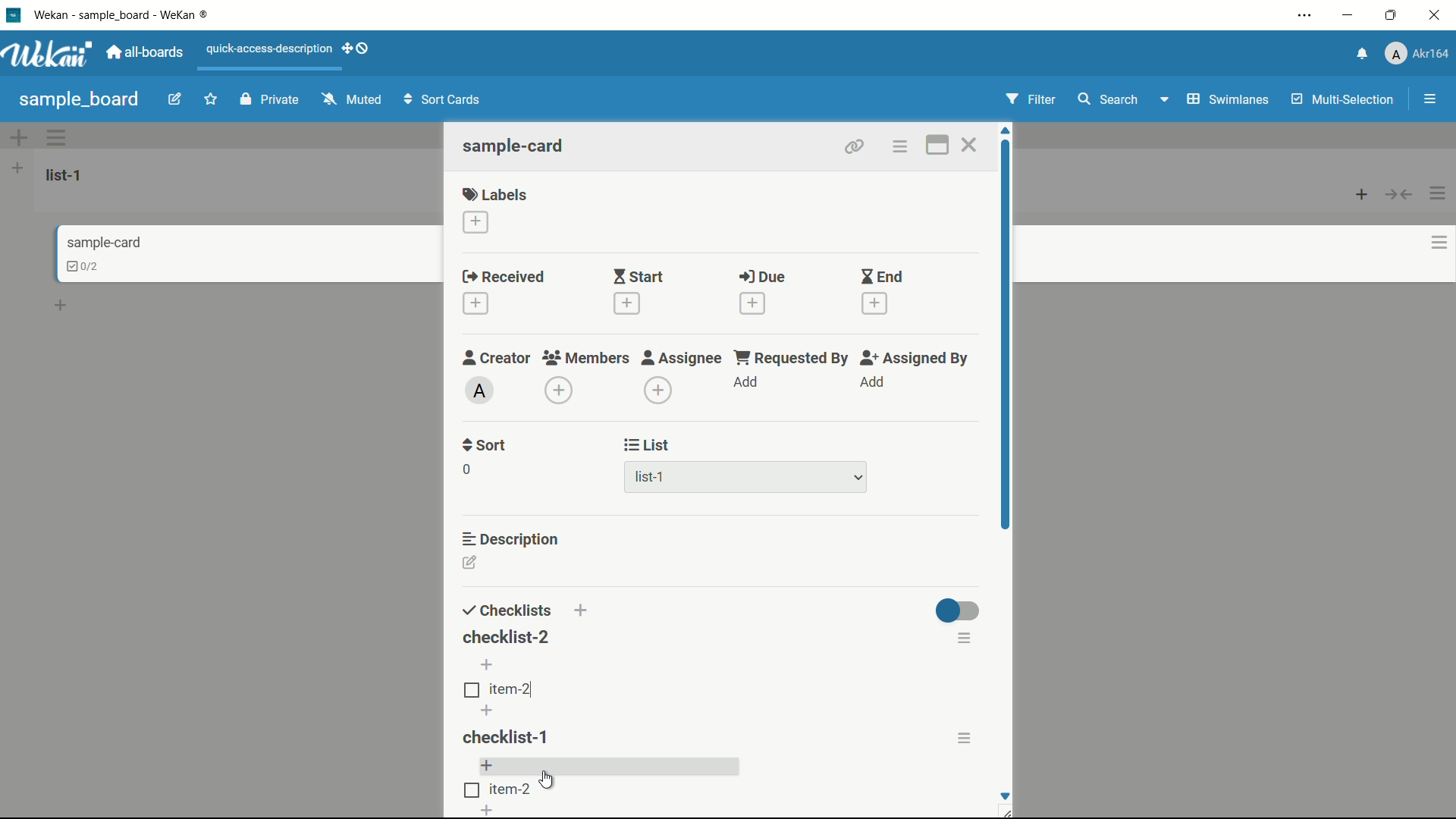 This screenshot has width=1456, height=819. I want to click on assignee, so click(682, 358).